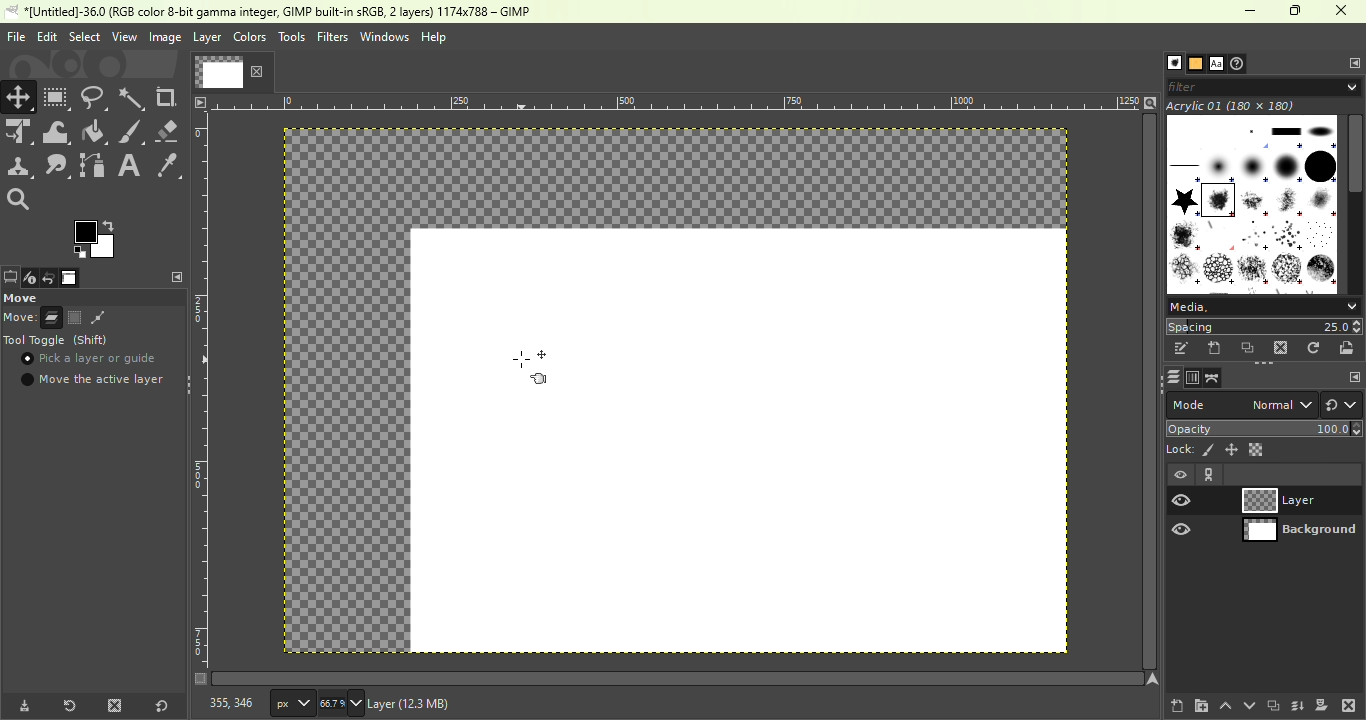  What do you see at coordinates (1213, 378) in the screenshot?
I see `Paths` at bounding box center [1213, 378].